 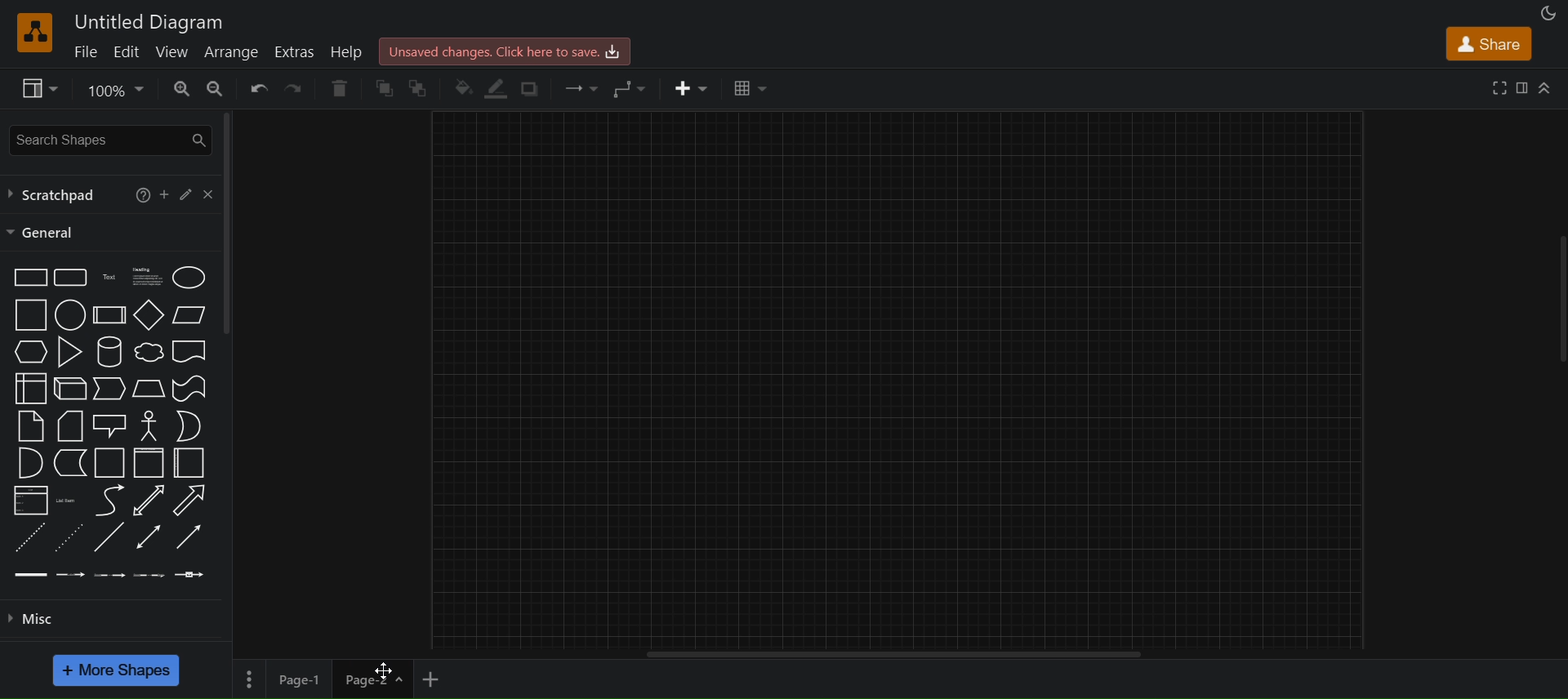 I want to click on trapezoid, so click(x=147, y=389).